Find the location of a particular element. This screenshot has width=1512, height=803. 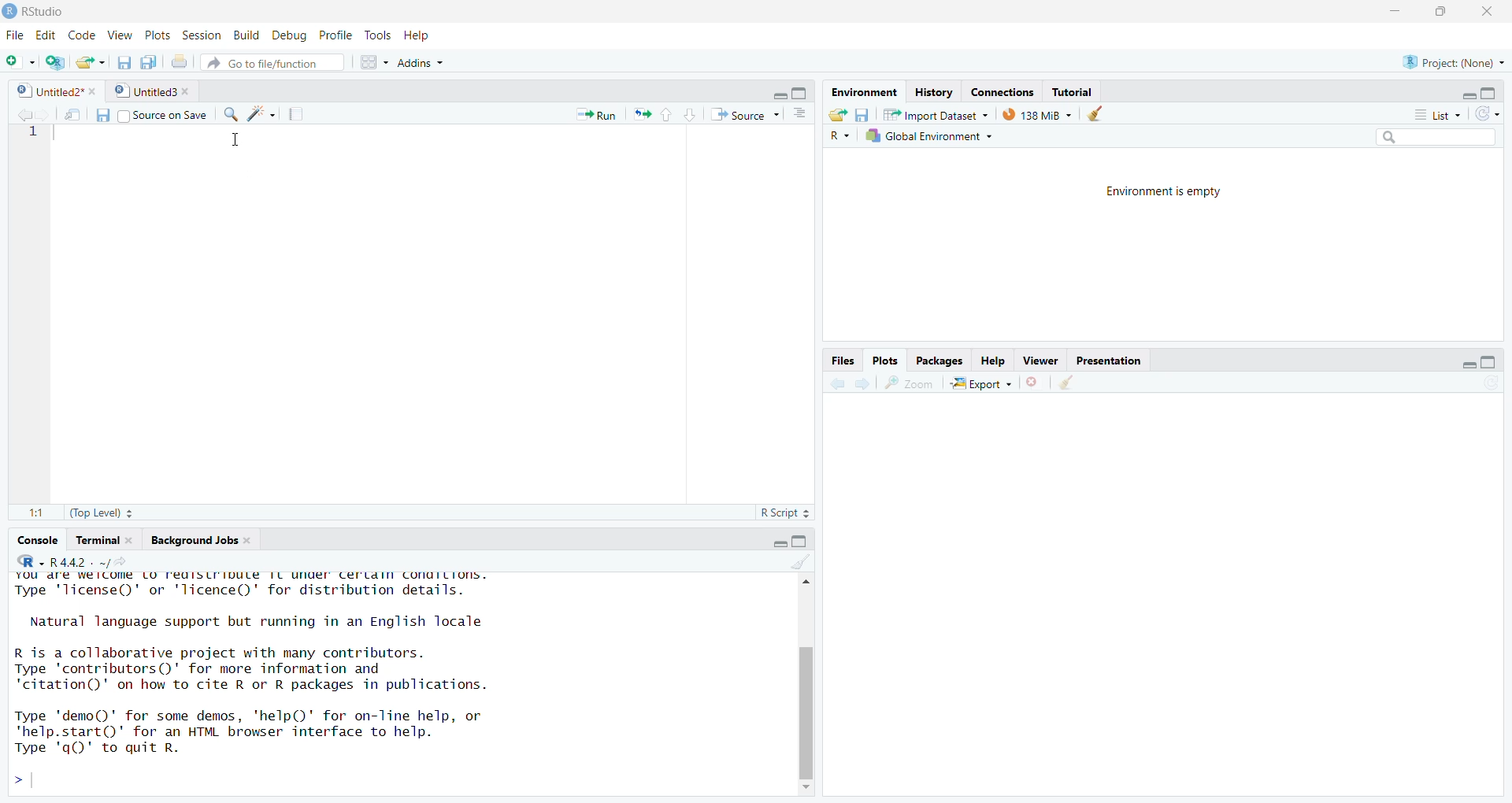

Help is located at coordinates (418, 33).